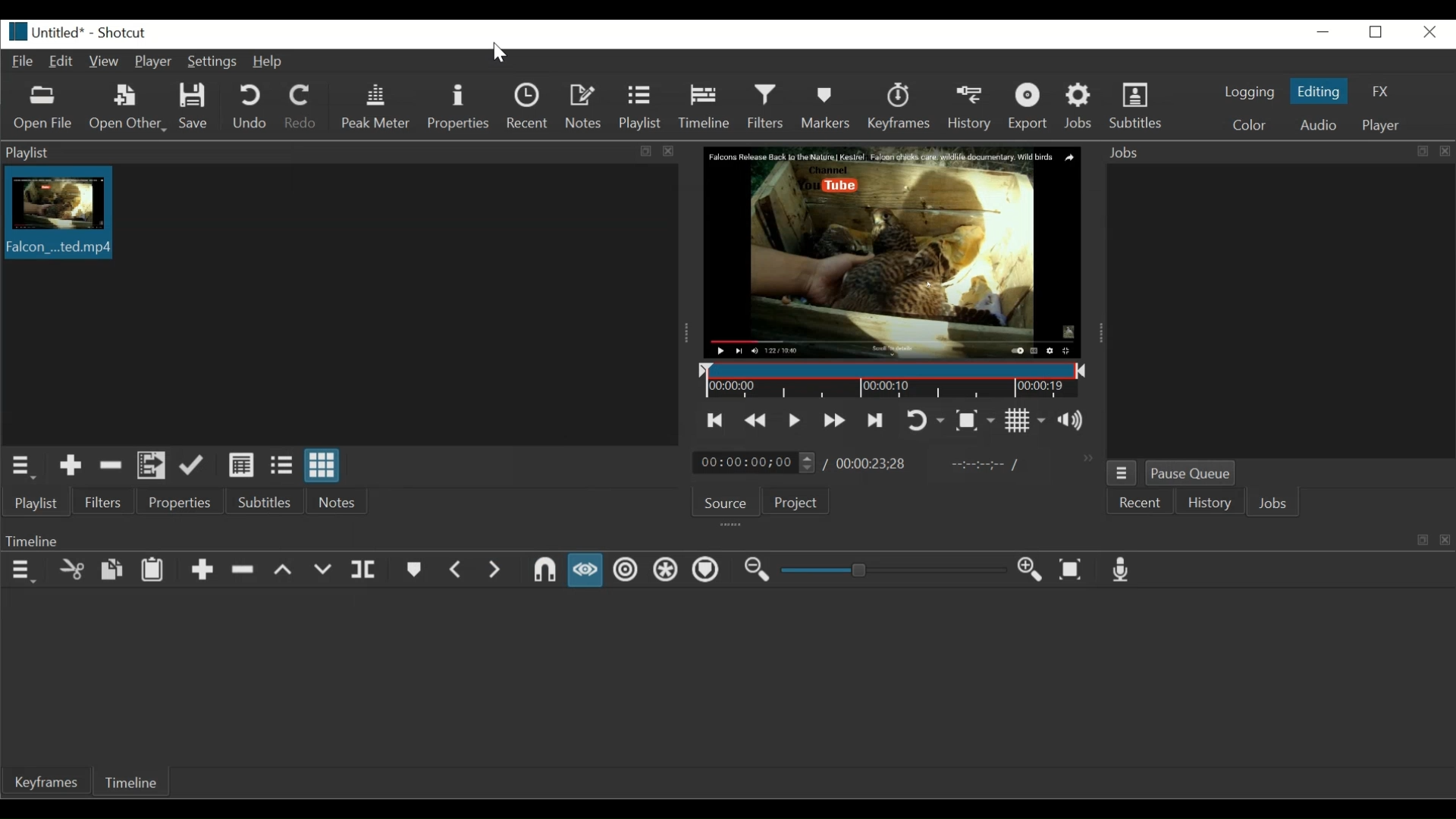  What do you see at coordinates (544, 570) in the screenshot?
I see `Snap (Disabled)` at bounding box center [544, 570].